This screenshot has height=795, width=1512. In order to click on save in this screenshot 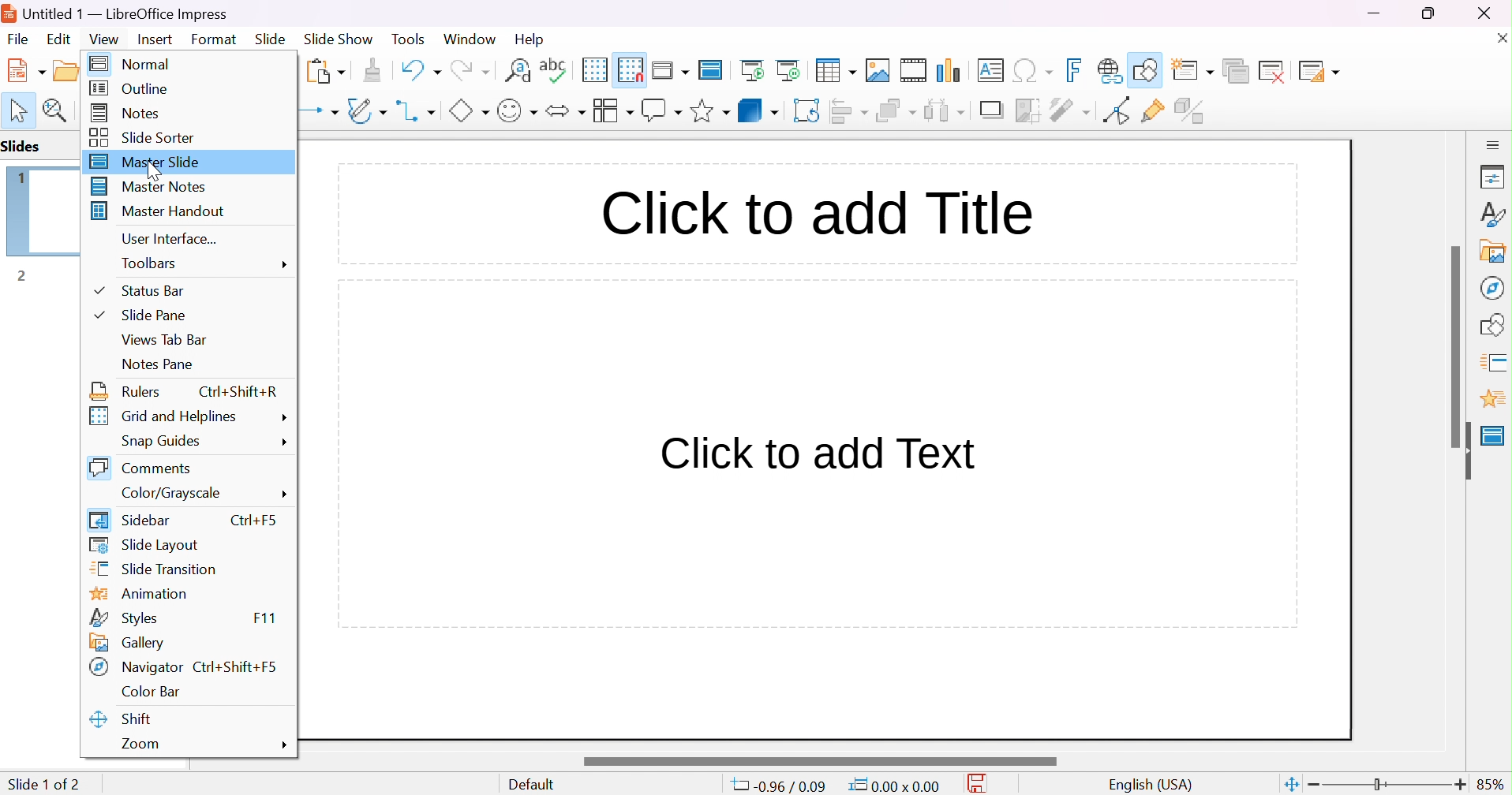, I will do `click(982, 784)`.